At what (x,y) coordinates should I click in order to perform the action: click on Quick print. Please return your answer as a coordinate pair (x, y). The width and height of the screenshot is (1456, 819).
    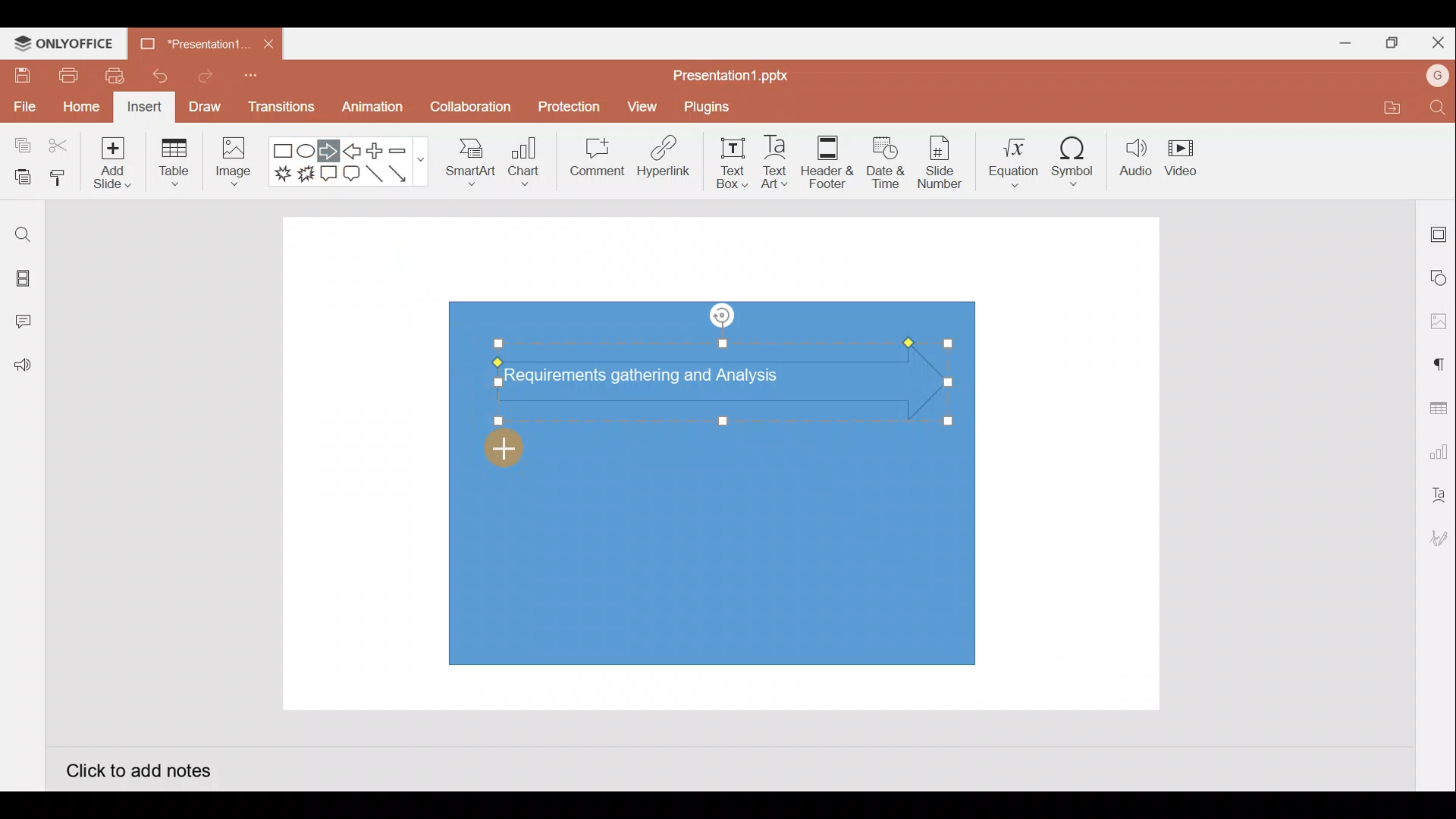
    Looking at the image, I should click on (110, 76).